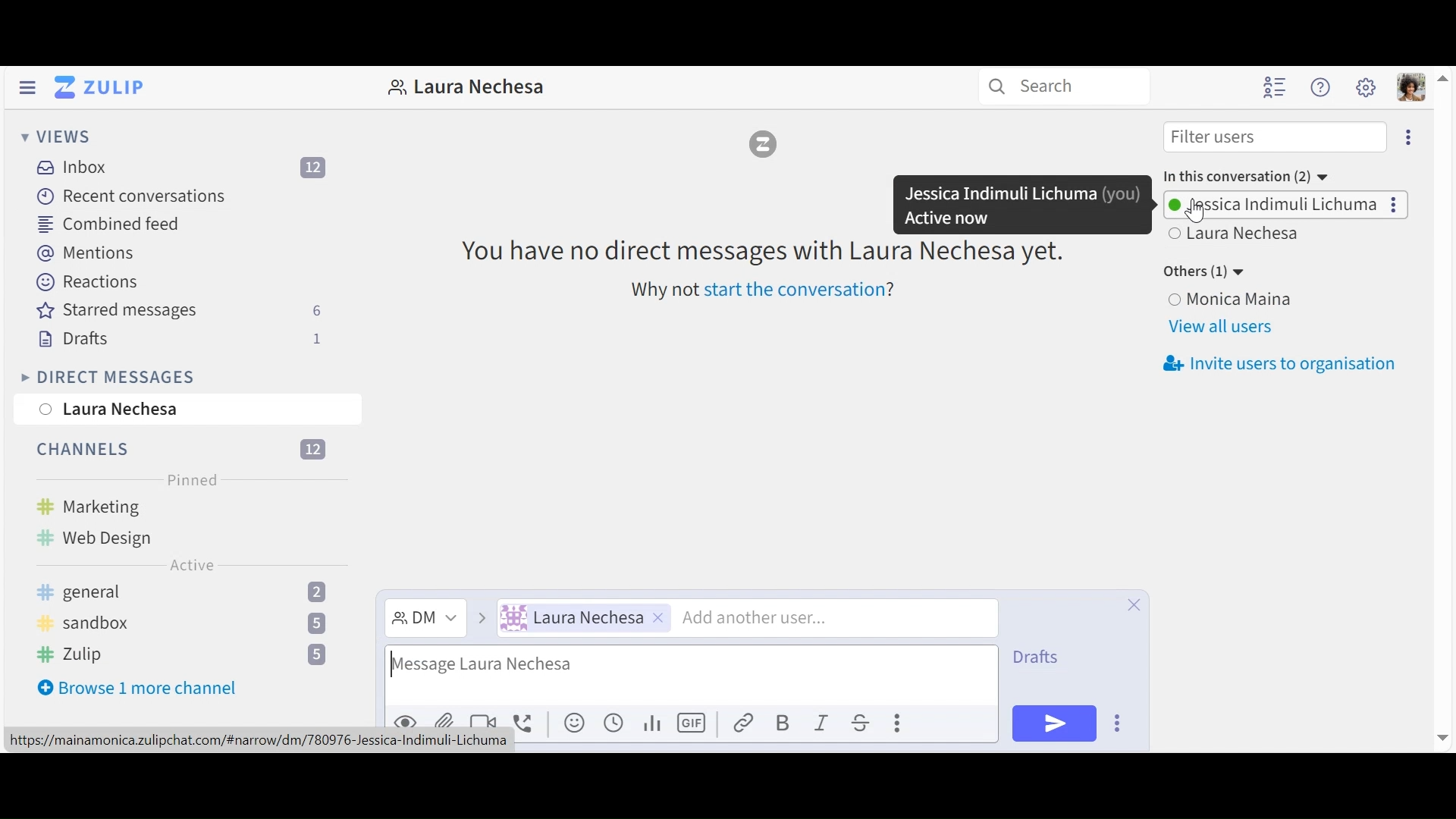 The width and height of the screenshot is (1456, 819). Describe the element at coordinates (1136, 608) in the screenshot. I see `Close` at that location.